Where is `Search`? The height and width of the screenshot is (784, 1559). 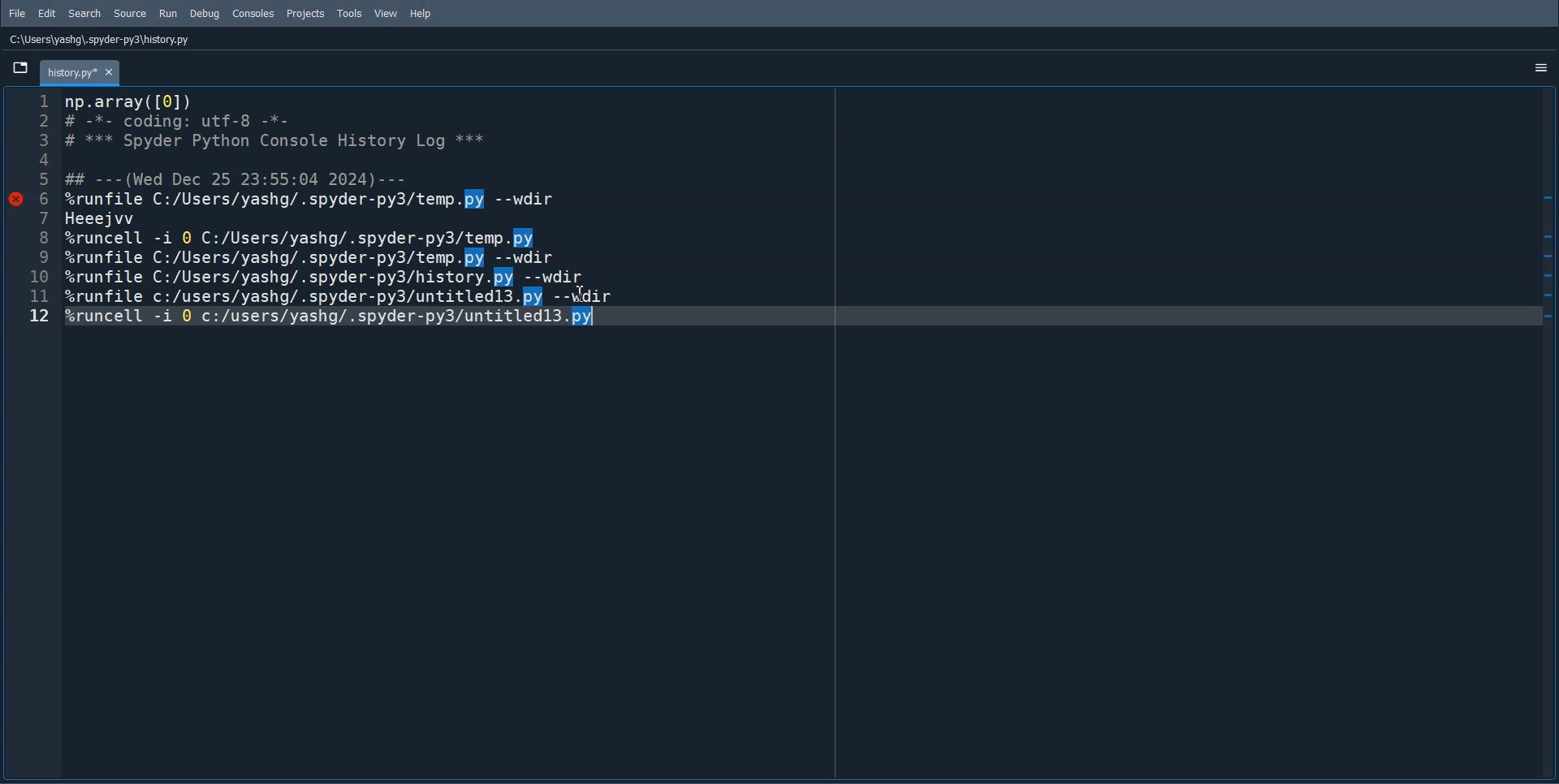 Search is located at coordinates (84, 13).